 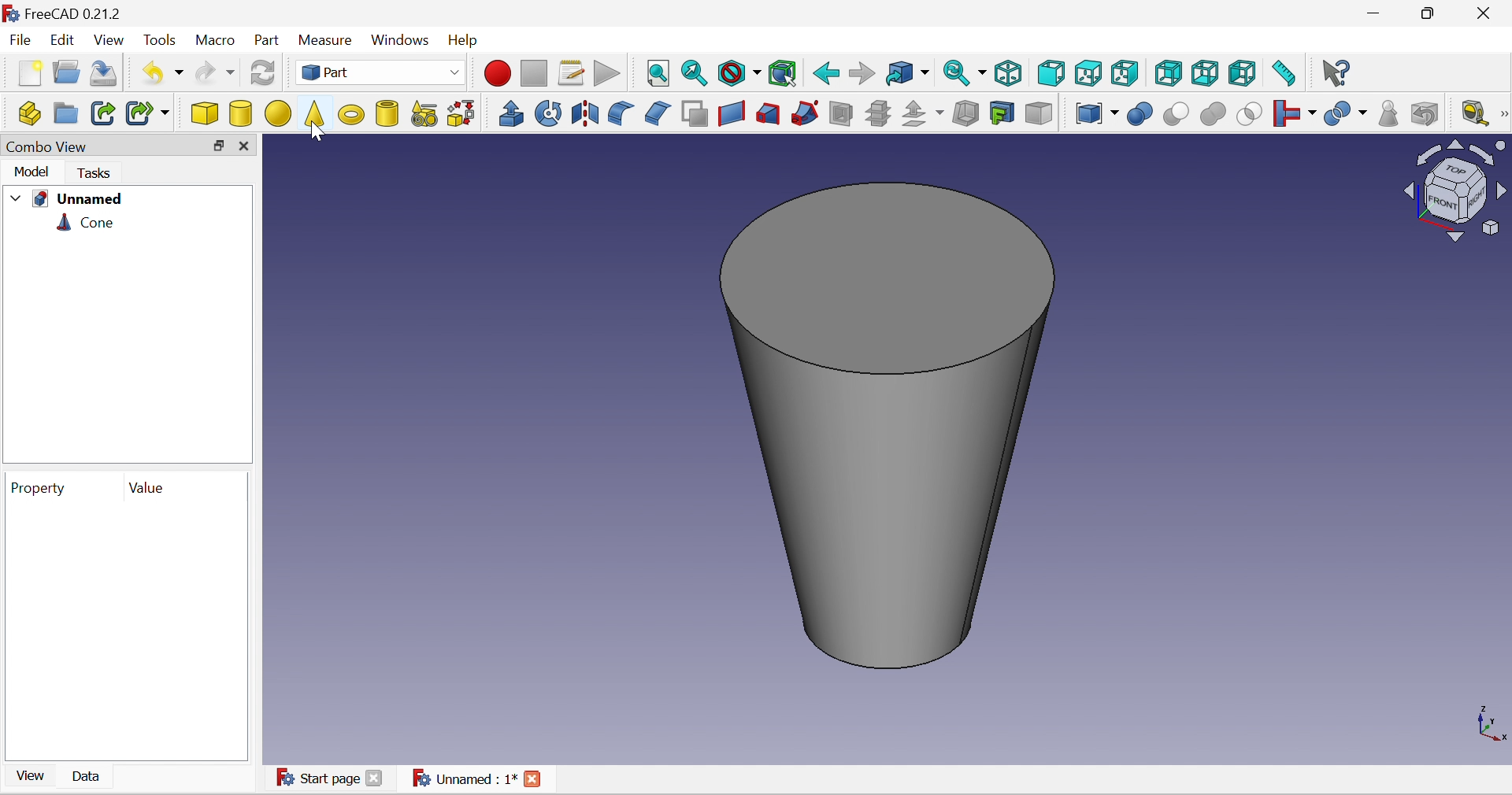 I want to click on Create group, so click(x=66, y=113).